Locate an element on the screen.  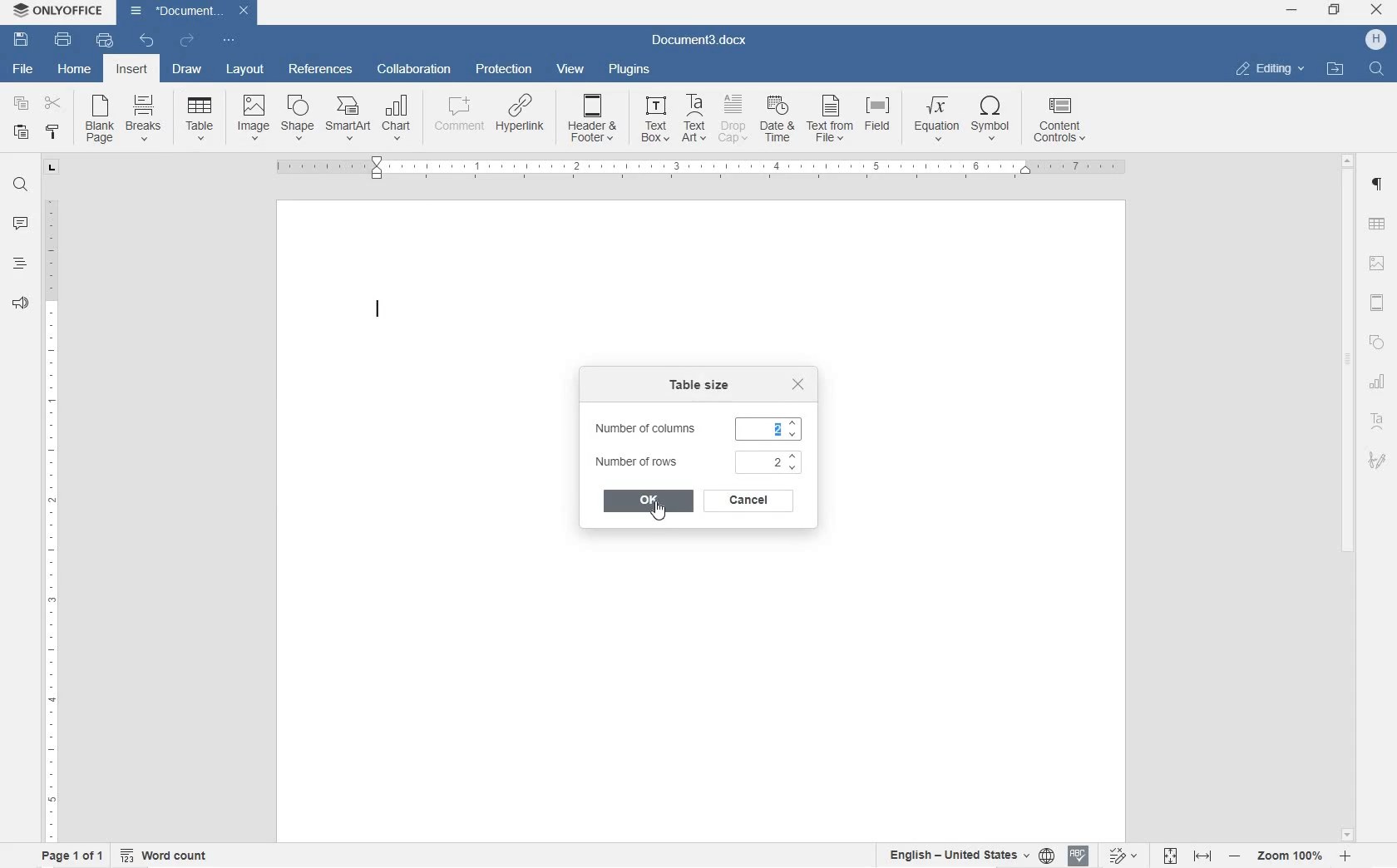
MINIMIZE is located at coordinates (1293, 11).